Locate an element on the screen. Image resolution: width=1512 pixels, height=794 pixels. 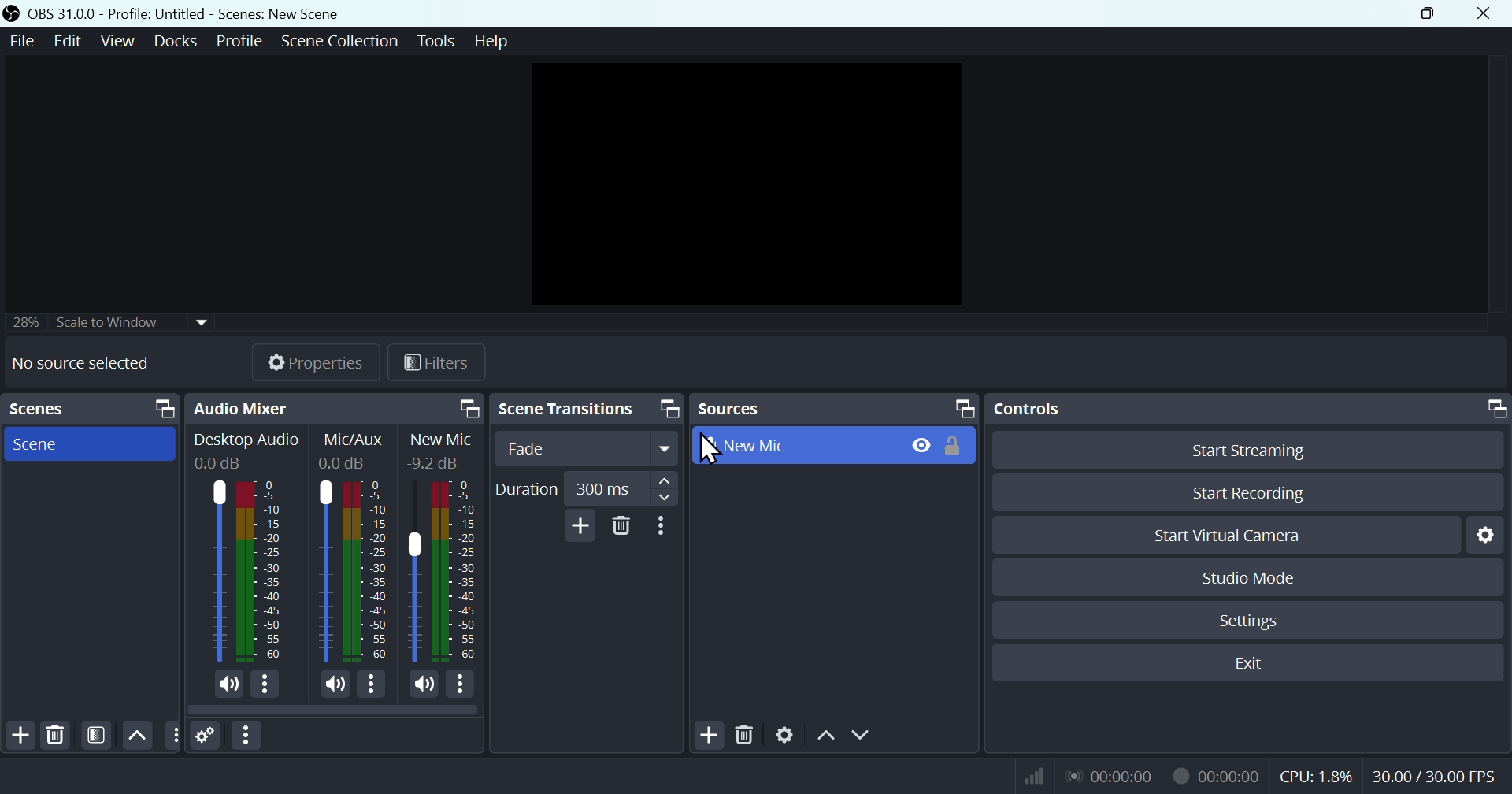
Filter is located at coordinates (98, 736).